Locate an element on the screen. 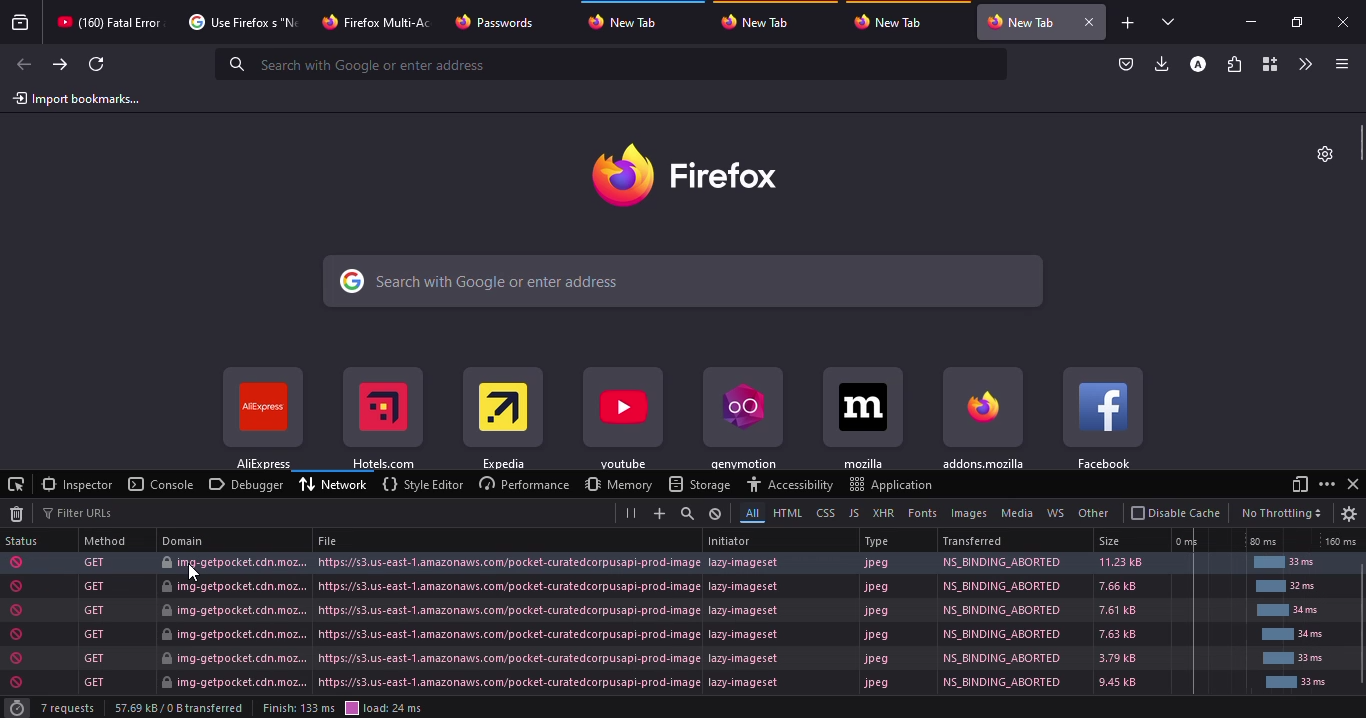  close is located at coordinates (1090, 21).